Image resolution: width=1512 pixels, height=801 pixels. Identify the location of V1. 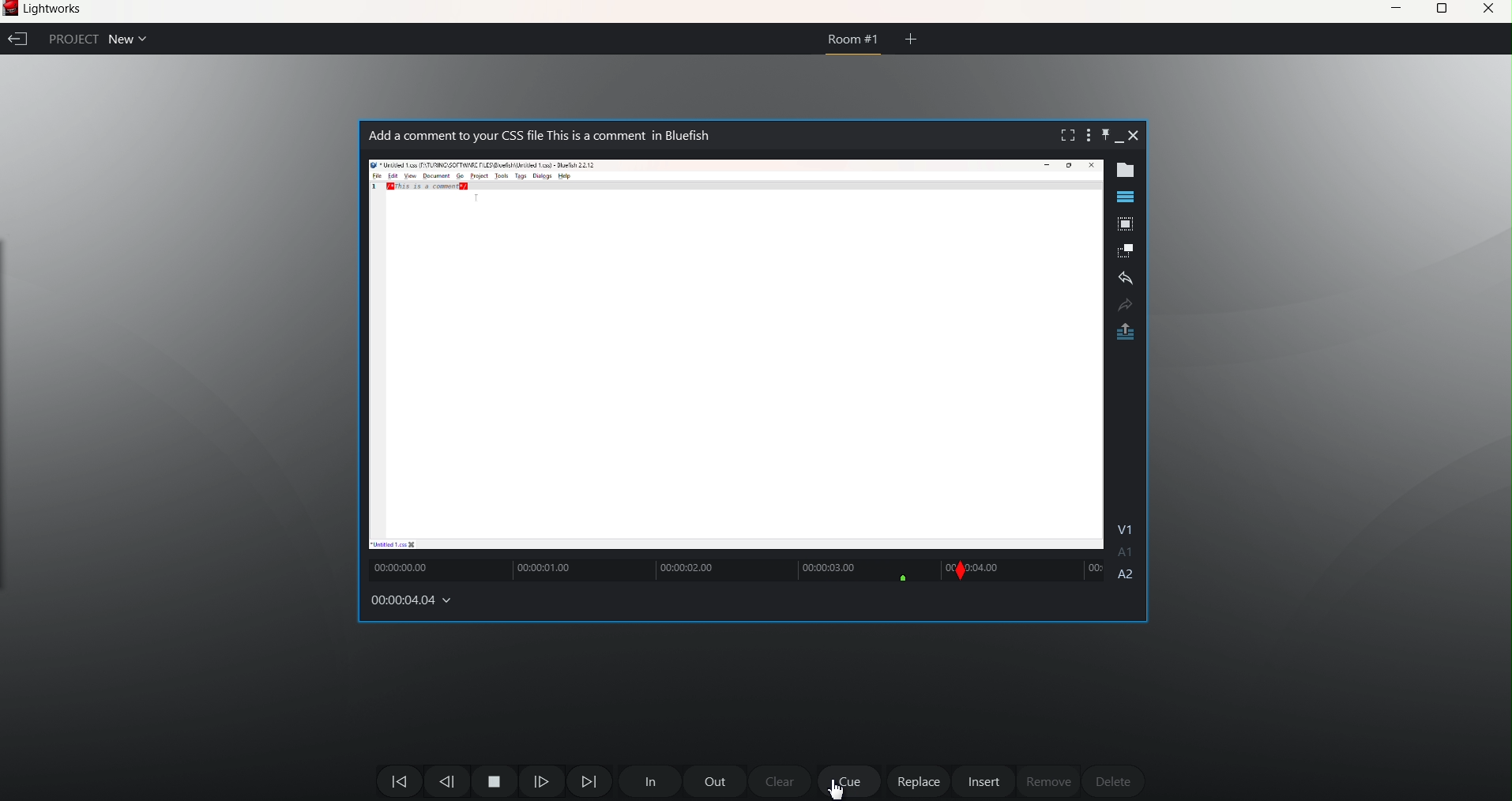
(1129, 527).